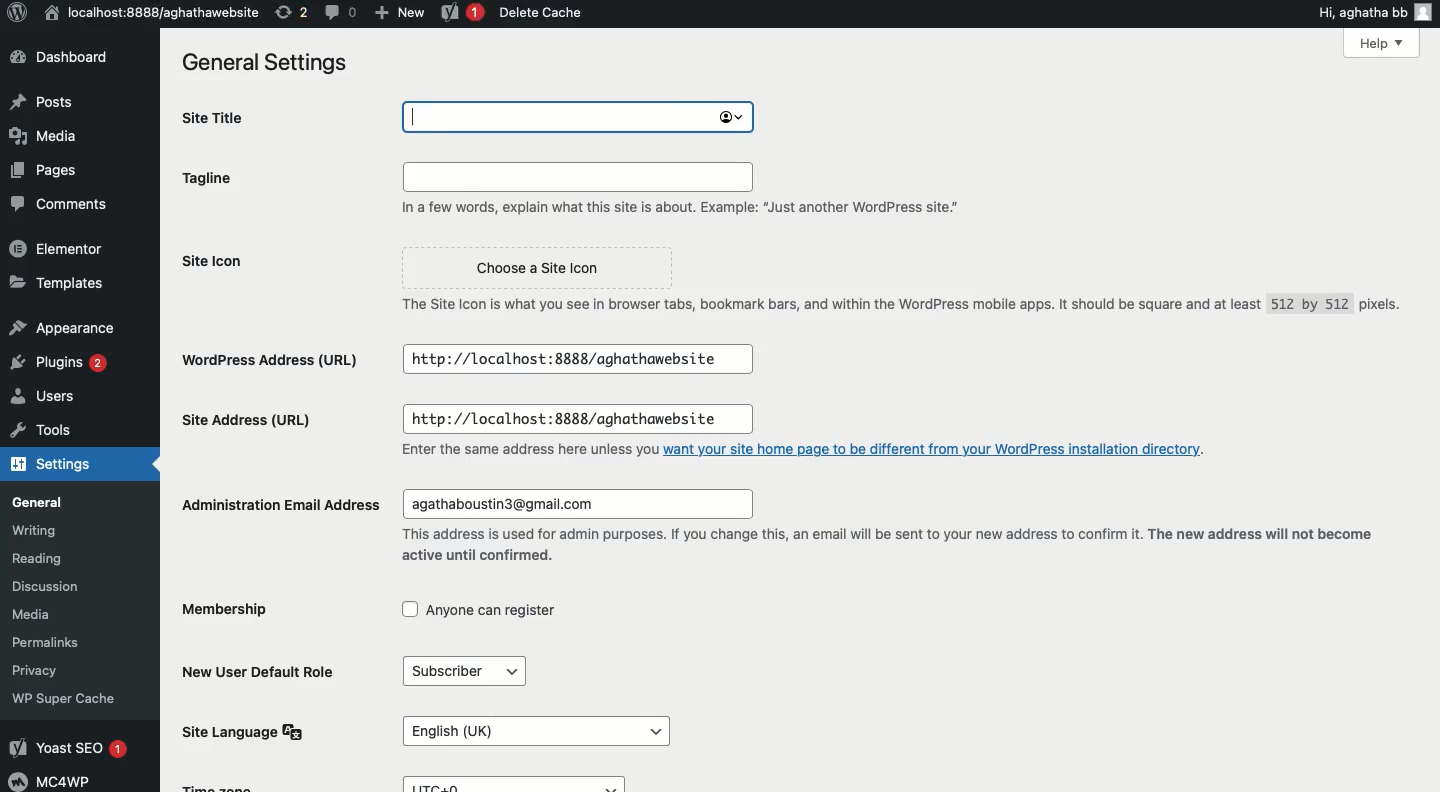 The image size is (1440, 792). Describe the element at coordinates (38, 669) in the screenshot. I see `Privacy` at that location.